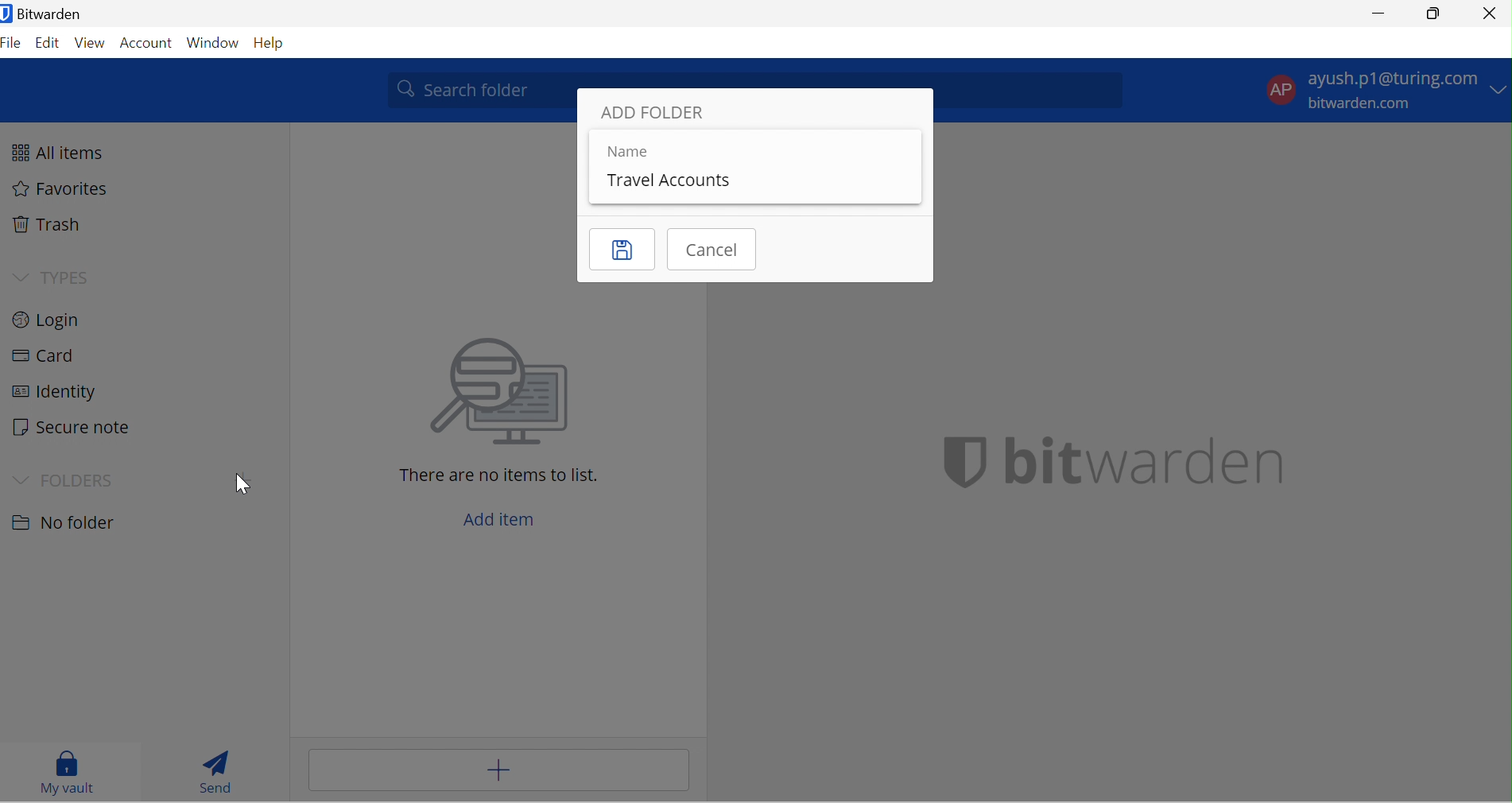 Image resolution: width=1512 pixels, height=803 pixels. I want to click on Favorites, so click(67, 191).